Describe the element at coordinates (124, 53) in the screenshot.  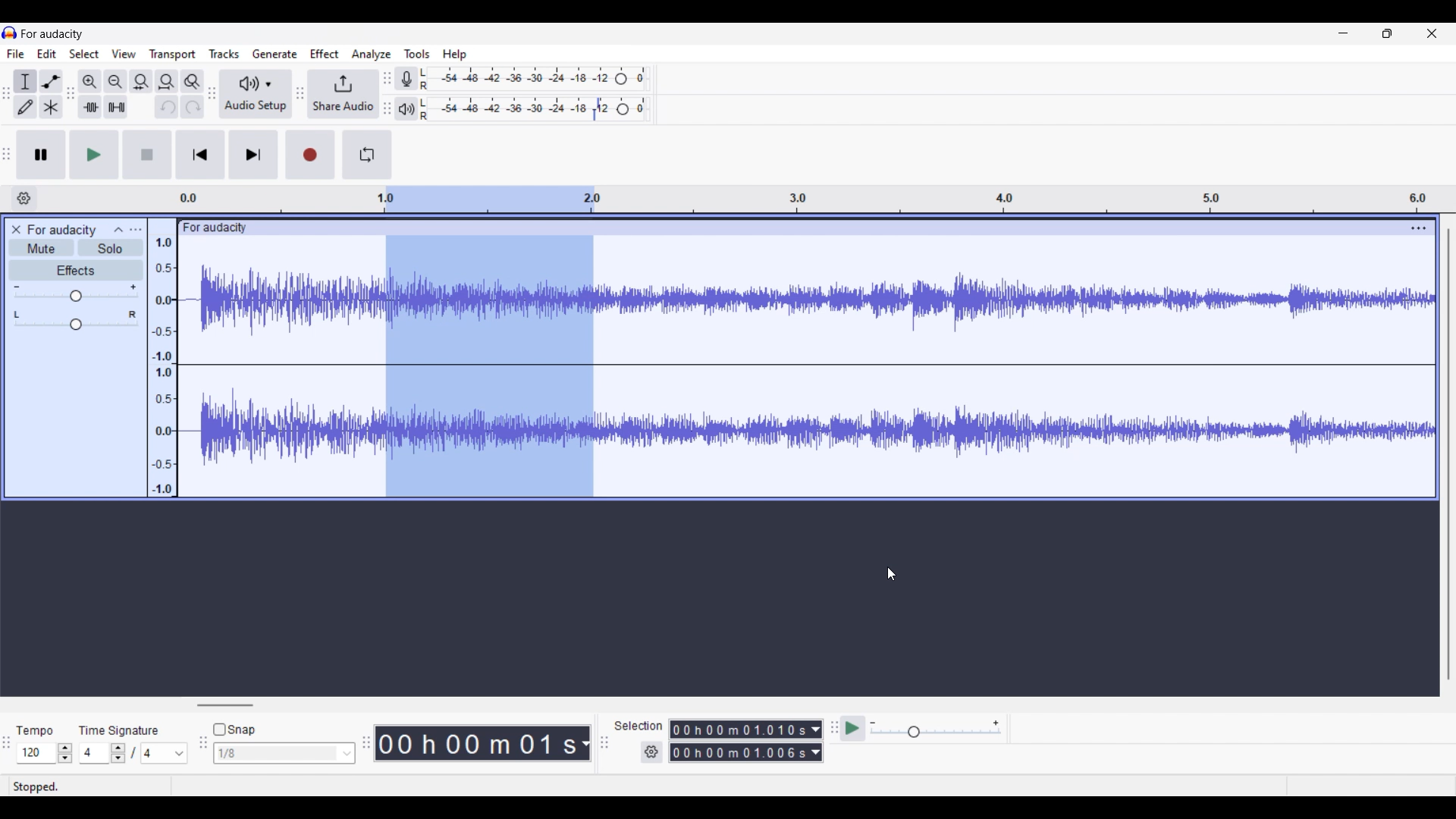
I see `View menu` at that location.